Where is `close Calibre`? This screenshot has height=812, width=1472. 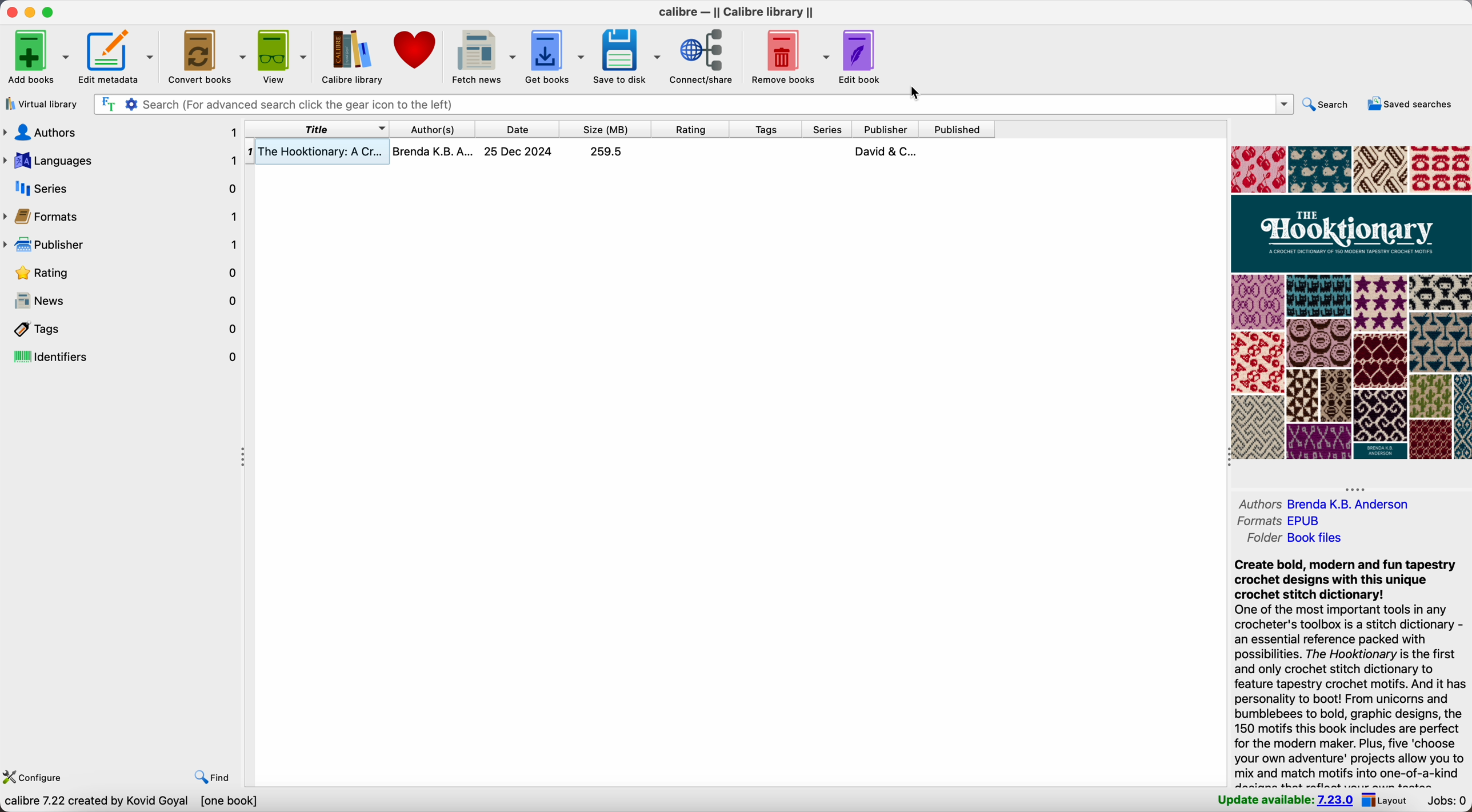
close Calibre is located at coordinates (11, 11).